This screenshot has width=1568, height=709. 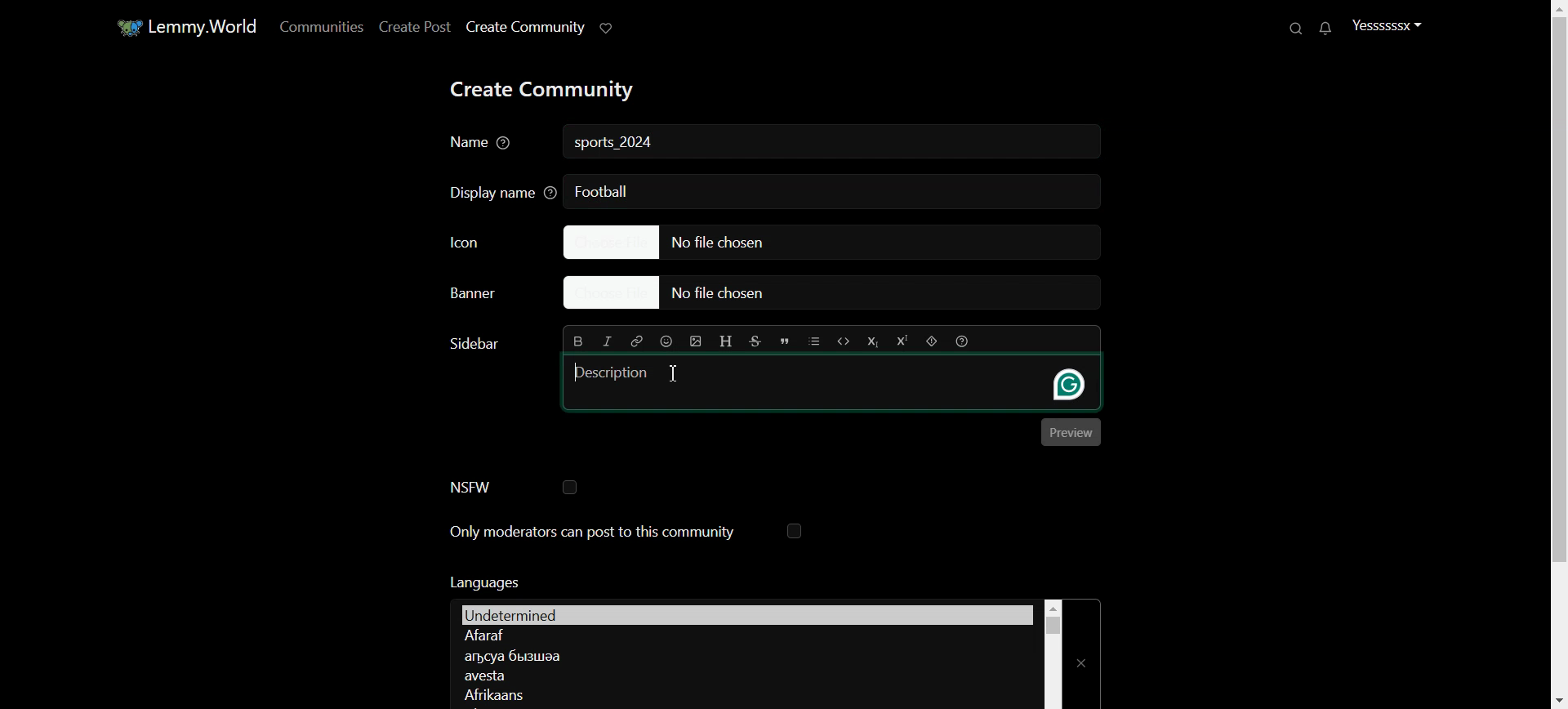 I want to click on Text, so click(x=602, y=190).